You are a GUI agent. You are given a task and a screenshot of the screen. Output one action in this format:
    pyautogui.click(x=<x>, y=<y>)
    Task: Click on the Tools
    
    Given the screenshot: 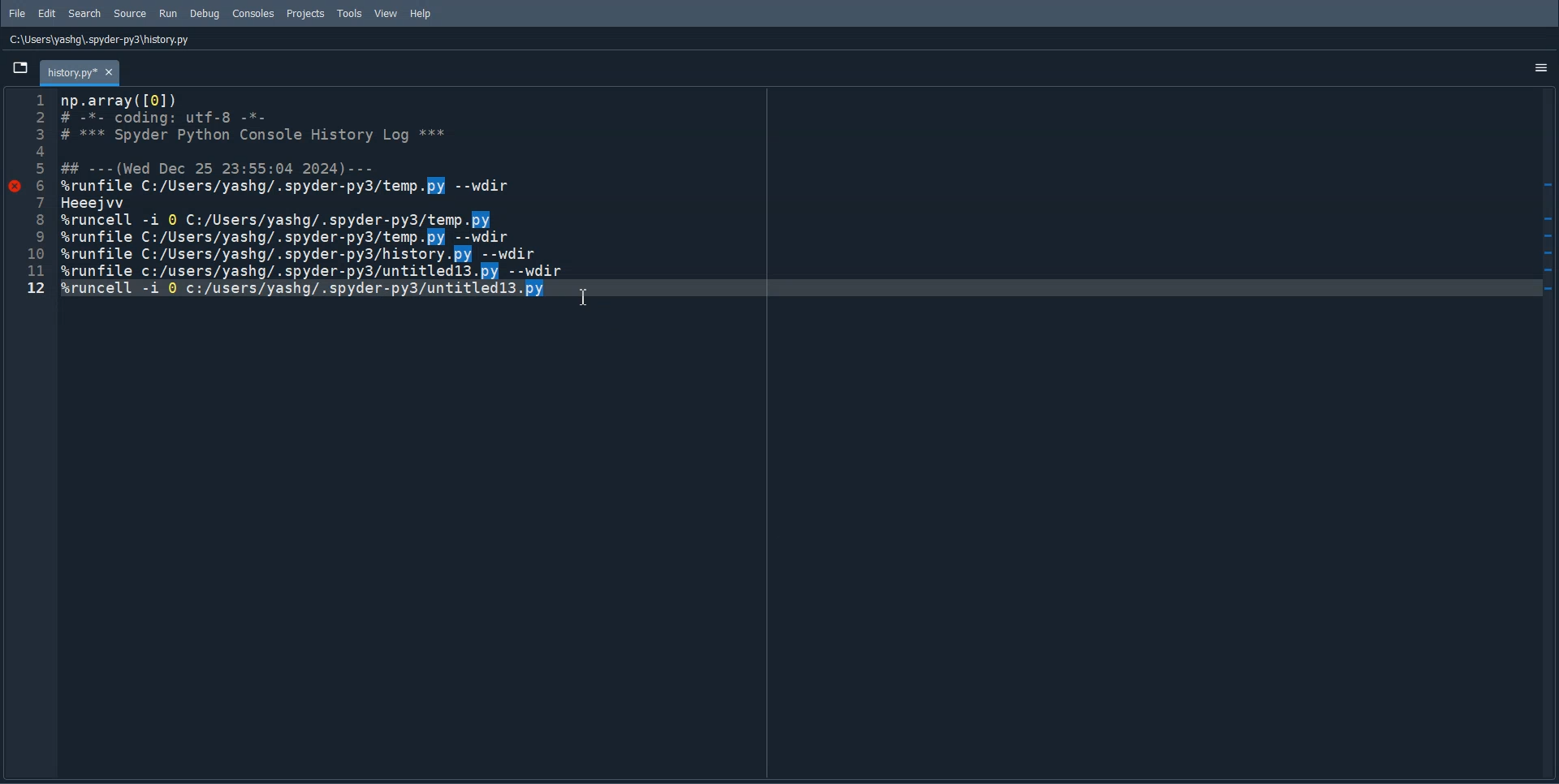 What is the action you would take?
    pyautogui.click(x=350, y=13)
    